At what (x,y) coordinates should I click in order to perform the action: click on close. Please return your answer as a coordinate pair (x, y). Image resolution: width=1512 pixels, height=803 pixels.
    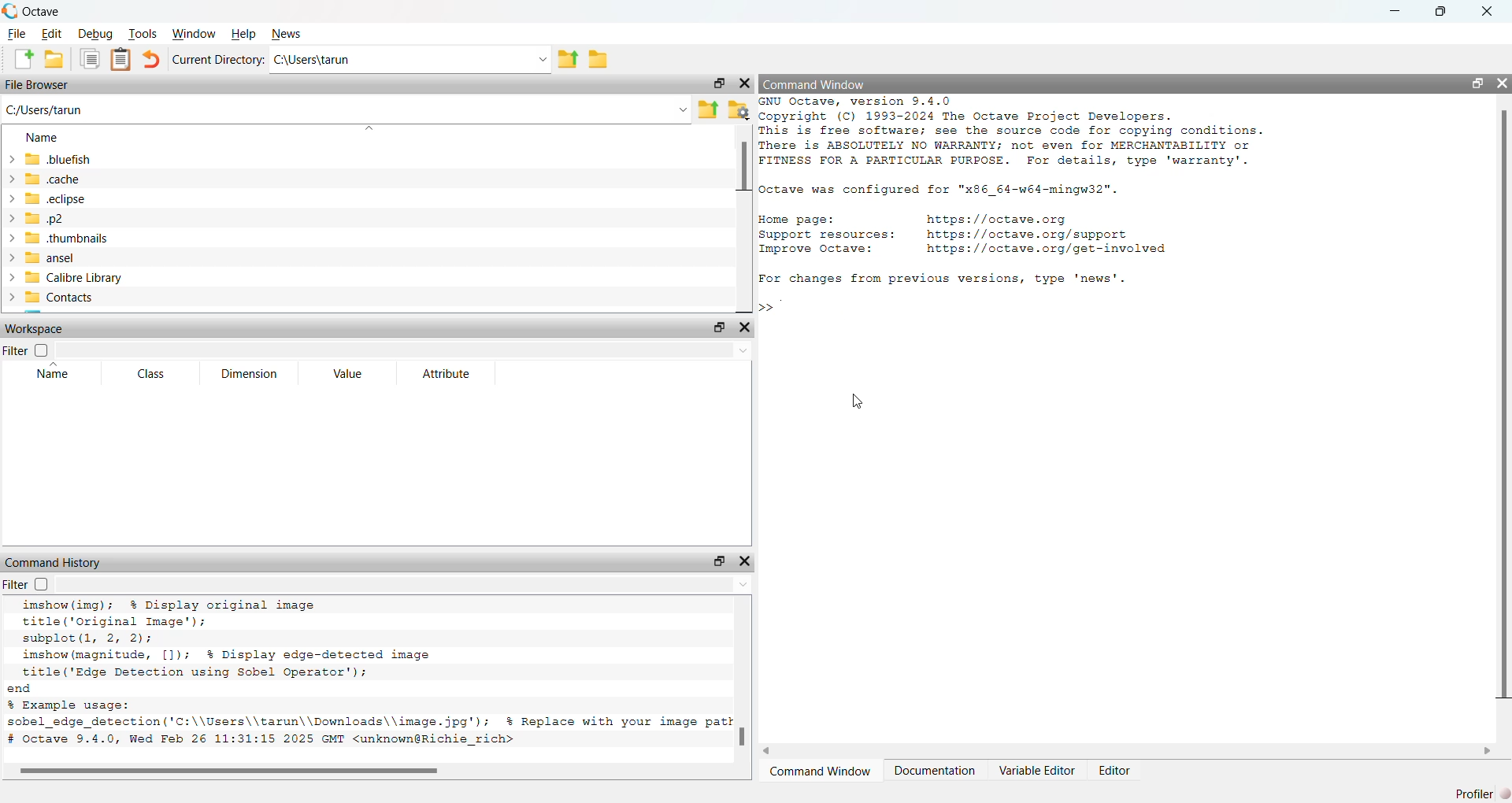
    Looking at the image, I should click on (1503, 83).